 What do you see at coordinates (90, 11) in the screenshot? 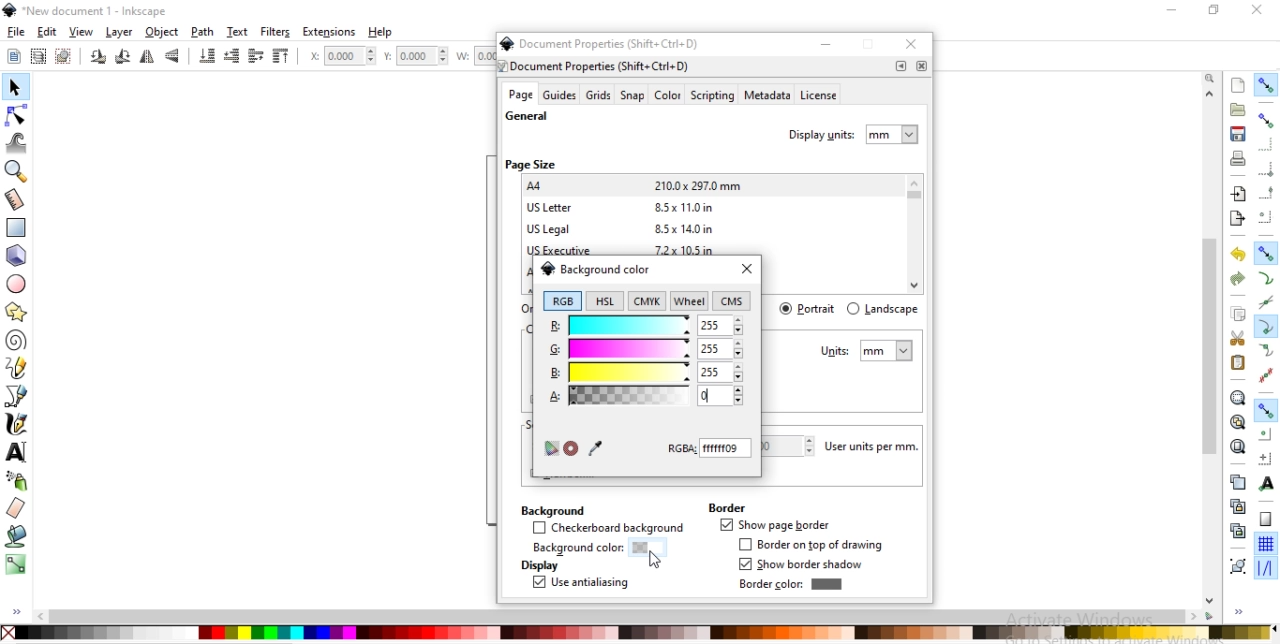
I see `new document 1 -Inksacpe` at bounding box center [90, 11].